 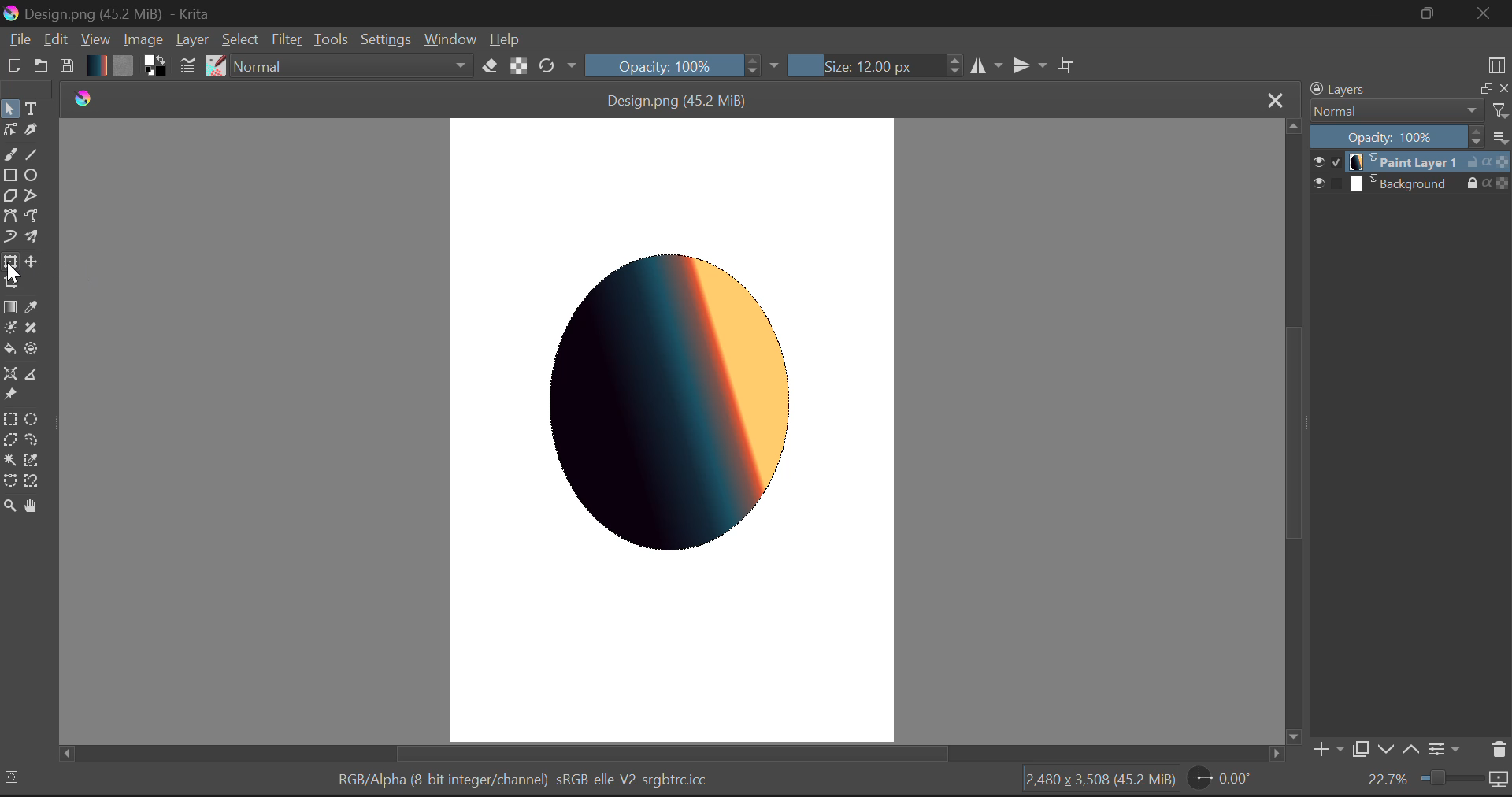 I want to click on File, so click(x=17, y=39).